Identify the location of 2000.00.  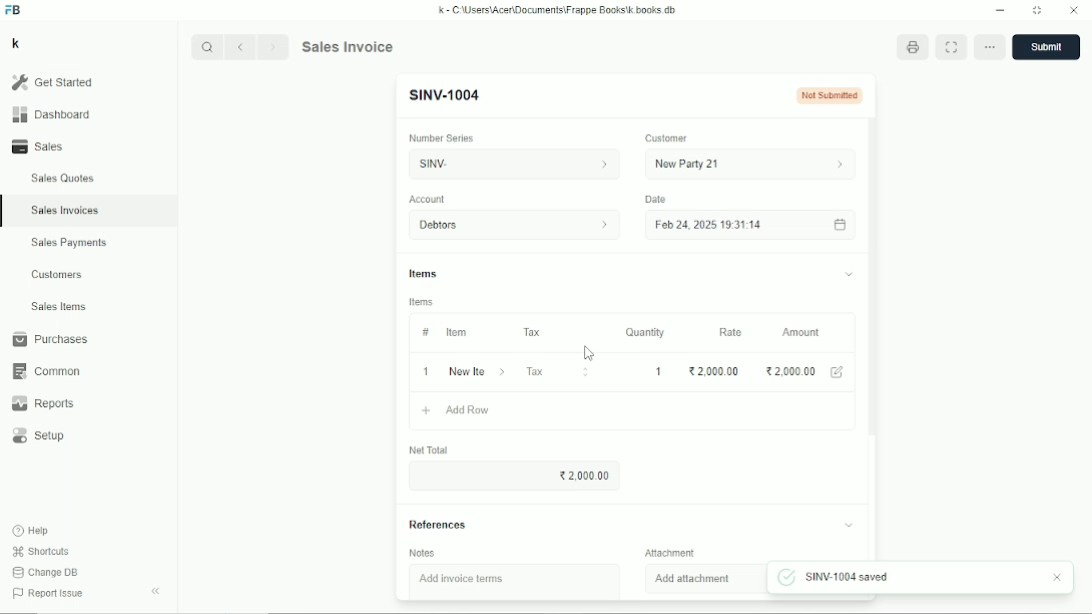
(713, 371).